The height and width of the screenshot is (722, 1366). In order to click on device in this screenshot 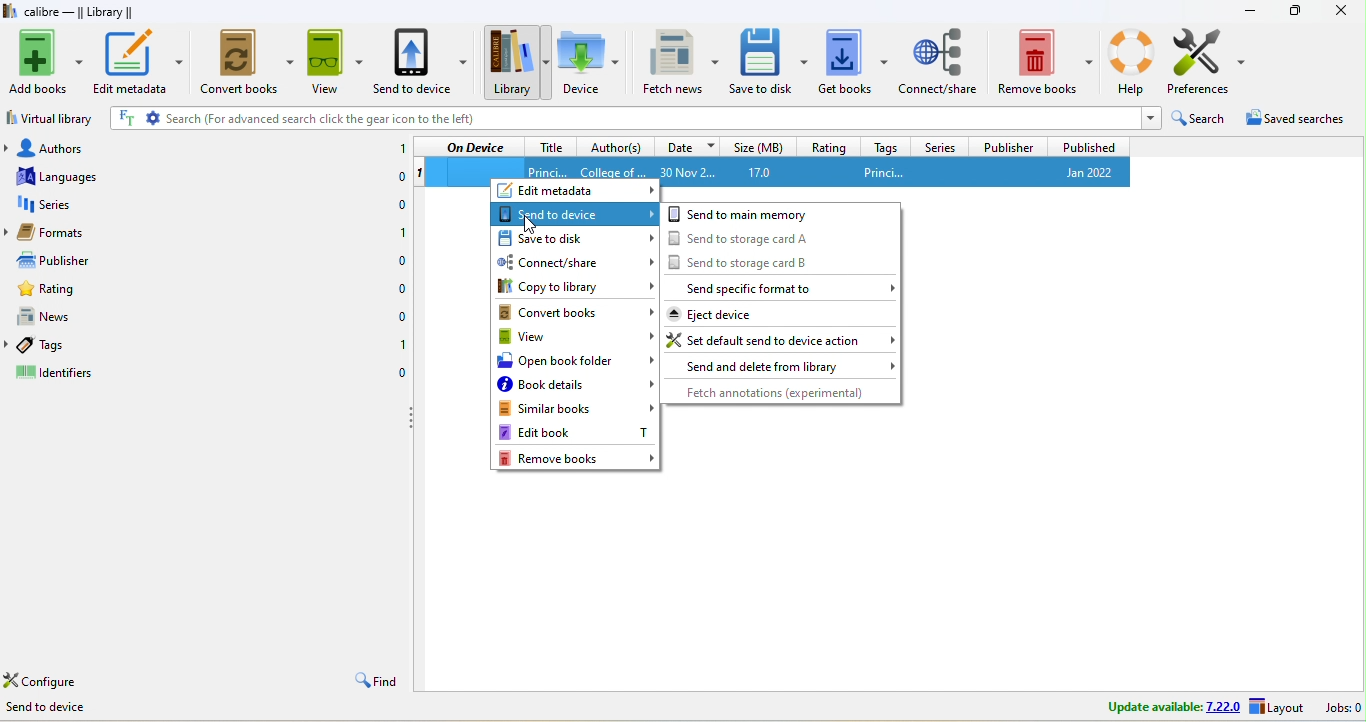, I will do `click(588, 61)`.